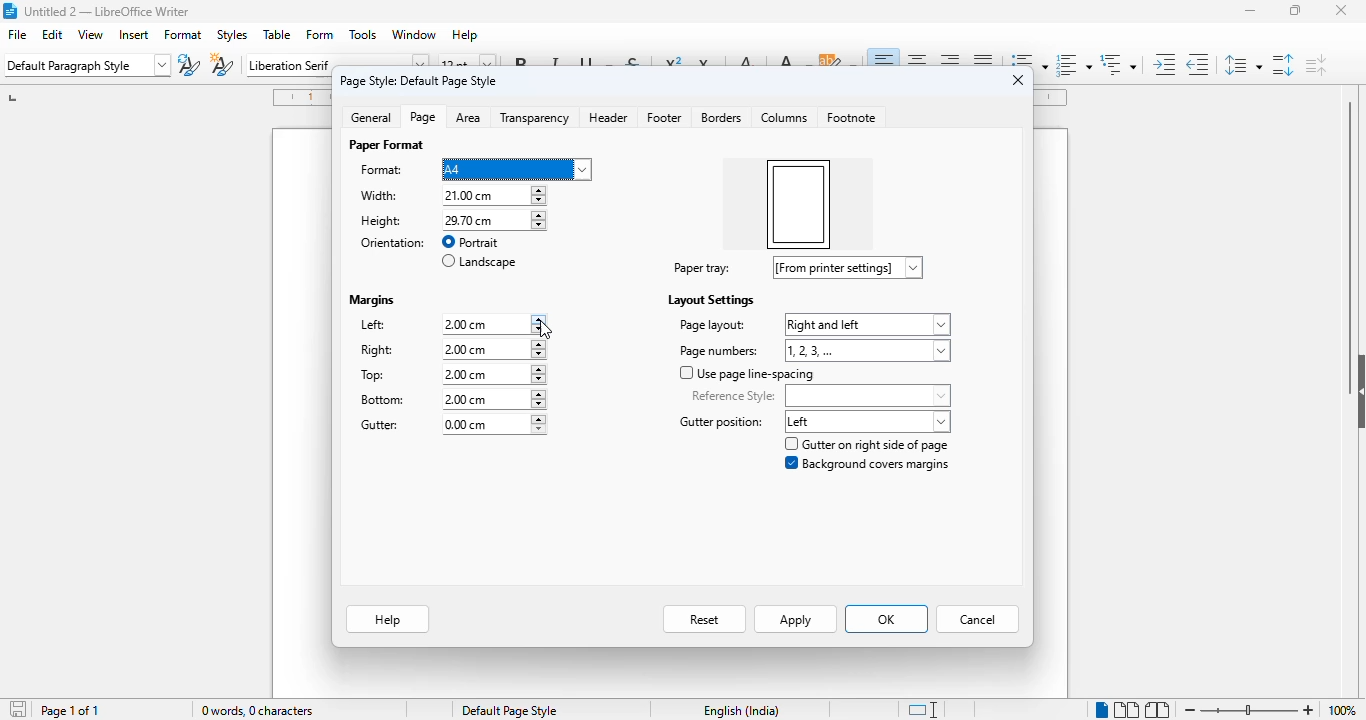 The height and width of the screenshot is (720, 1366). What do you see at coordinates (701, 266) in the screenshot?
I see `paper tray` at bounding box center [701, 266].